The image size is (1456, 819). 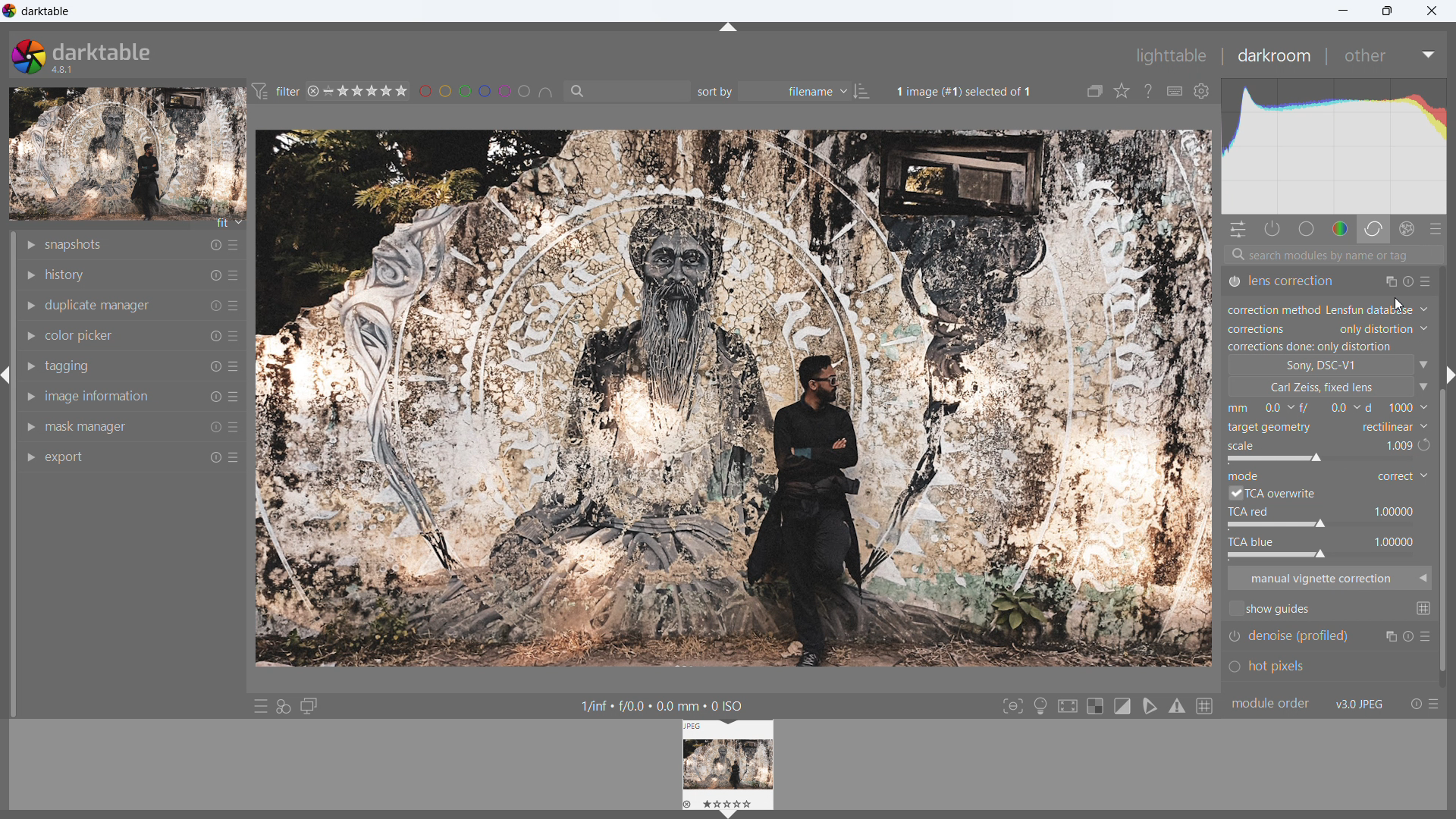 I want to click on quick access for applying styles, so click(x=284, y=706).